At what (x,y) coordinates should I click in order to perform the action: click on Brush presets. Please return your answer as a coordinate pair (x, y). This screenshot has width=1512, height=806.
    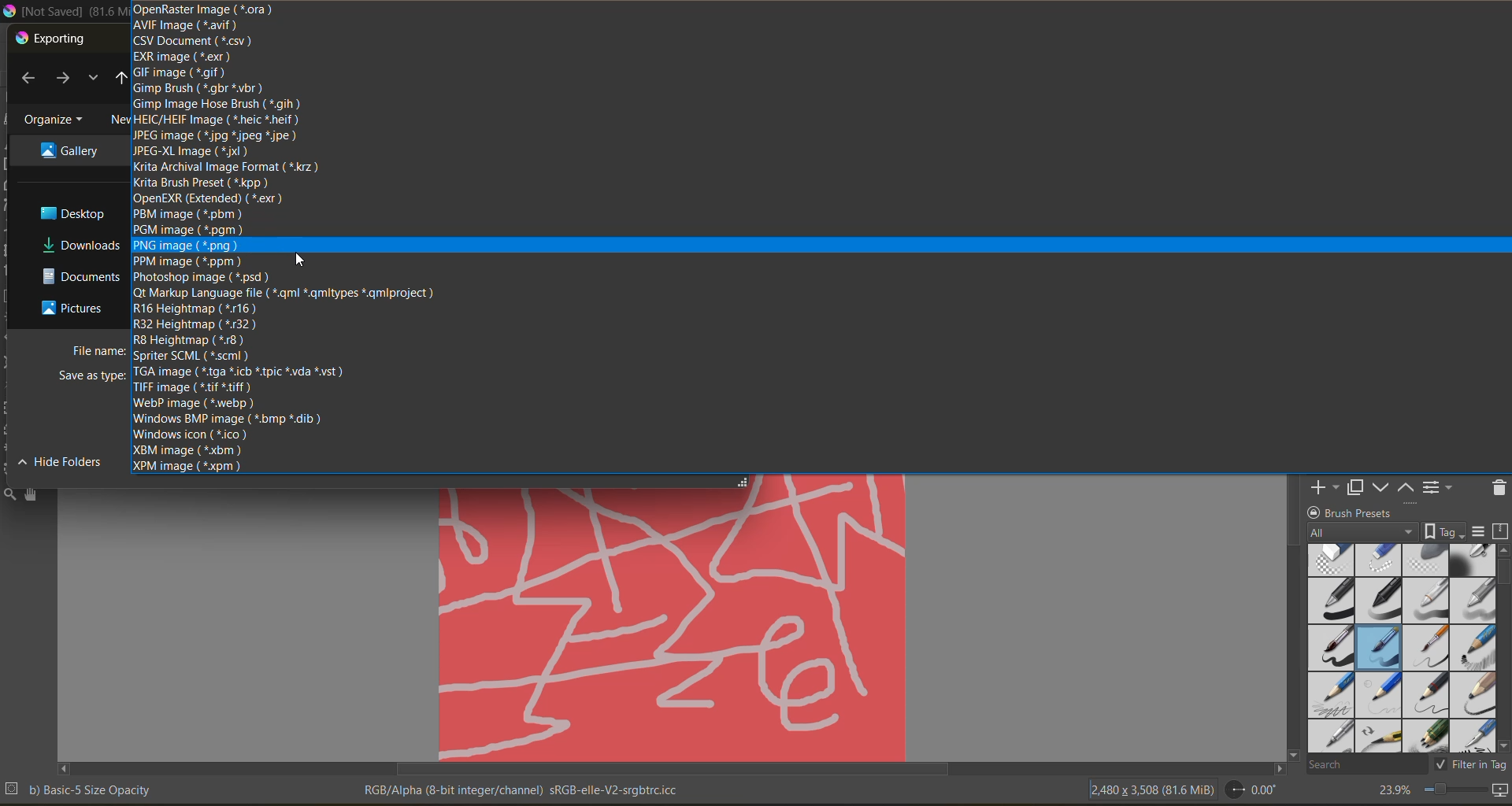
    Looking at the image, I should click on (1366, 511).